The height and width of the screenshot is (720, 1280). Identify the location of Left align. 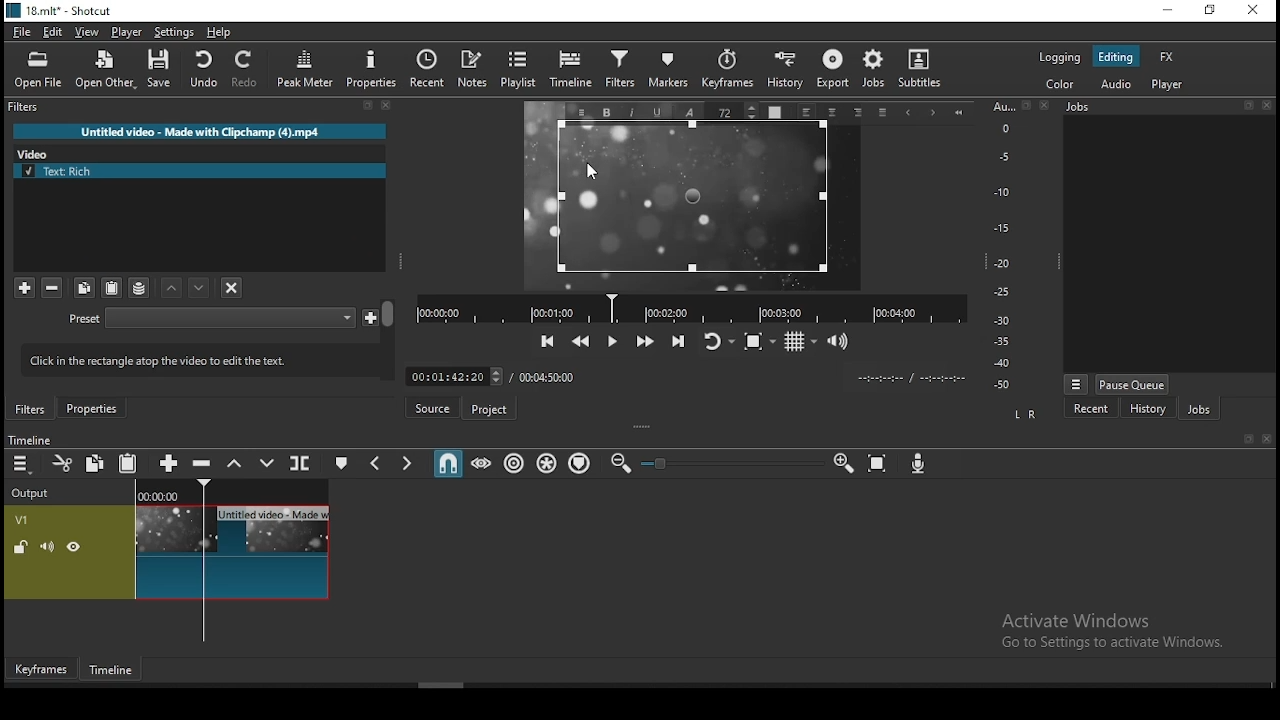
(806, 112).